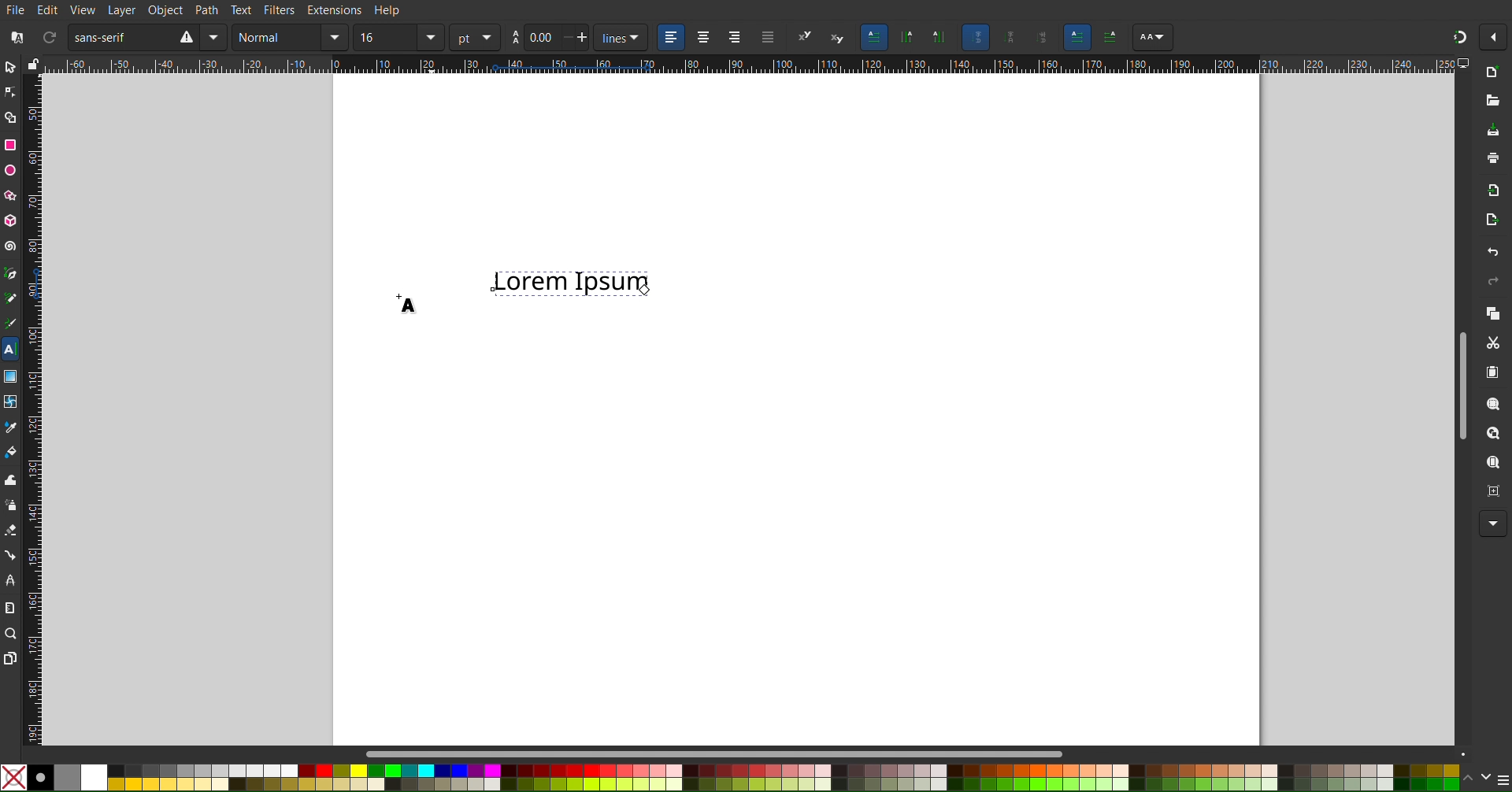 Image resolution: width=1512 pixels, height=792 pixels. What do you see at coordinates (571, 286) in the screenshot?
I see `Selected text (large font)` at bounding box center [571, 286].